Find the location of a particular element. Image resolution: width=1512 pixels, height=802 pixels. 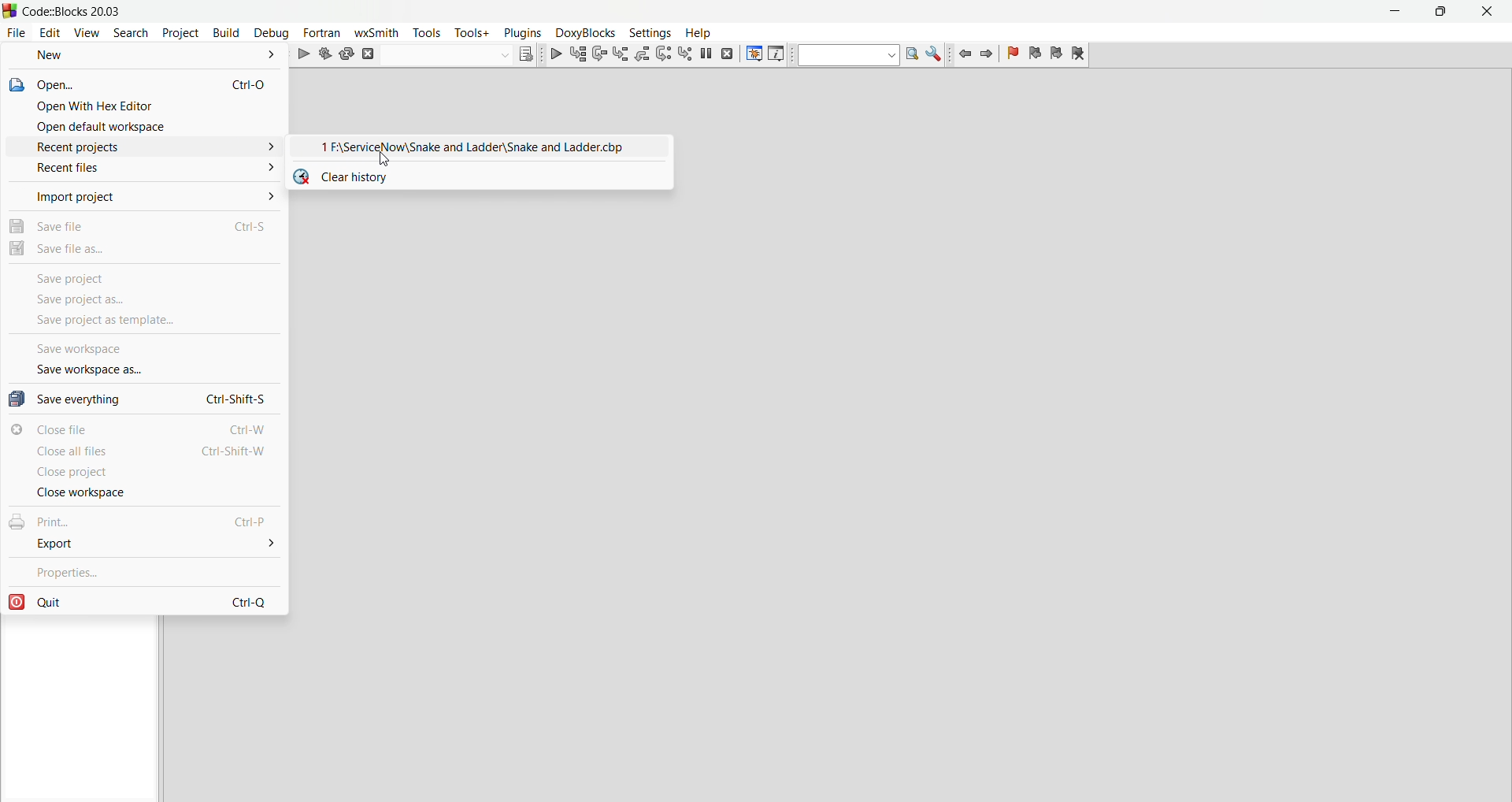

various info is located at coordinates (776, 54).